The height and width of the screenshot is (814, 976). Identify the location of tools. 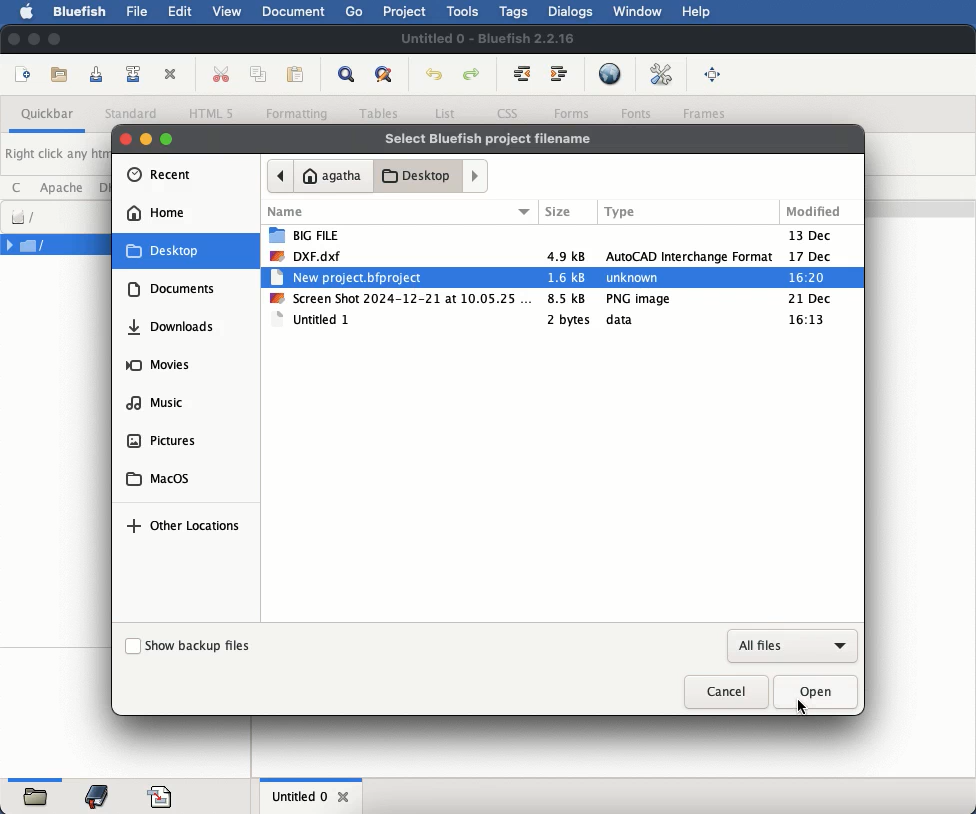
(465, 11).